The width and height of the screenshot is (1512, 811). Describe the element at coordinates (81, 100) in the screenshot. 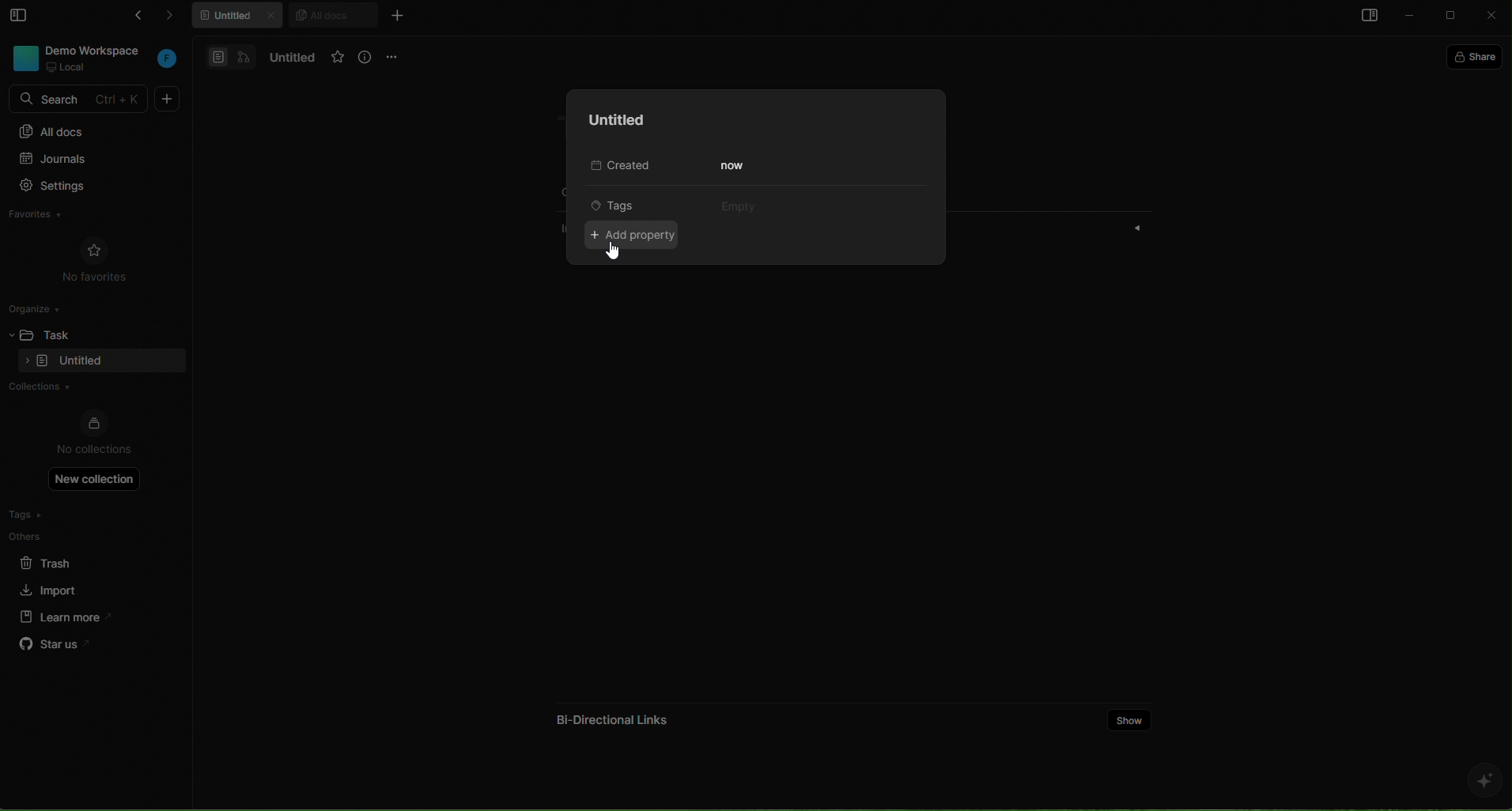

I see `SEARCH` at that location.